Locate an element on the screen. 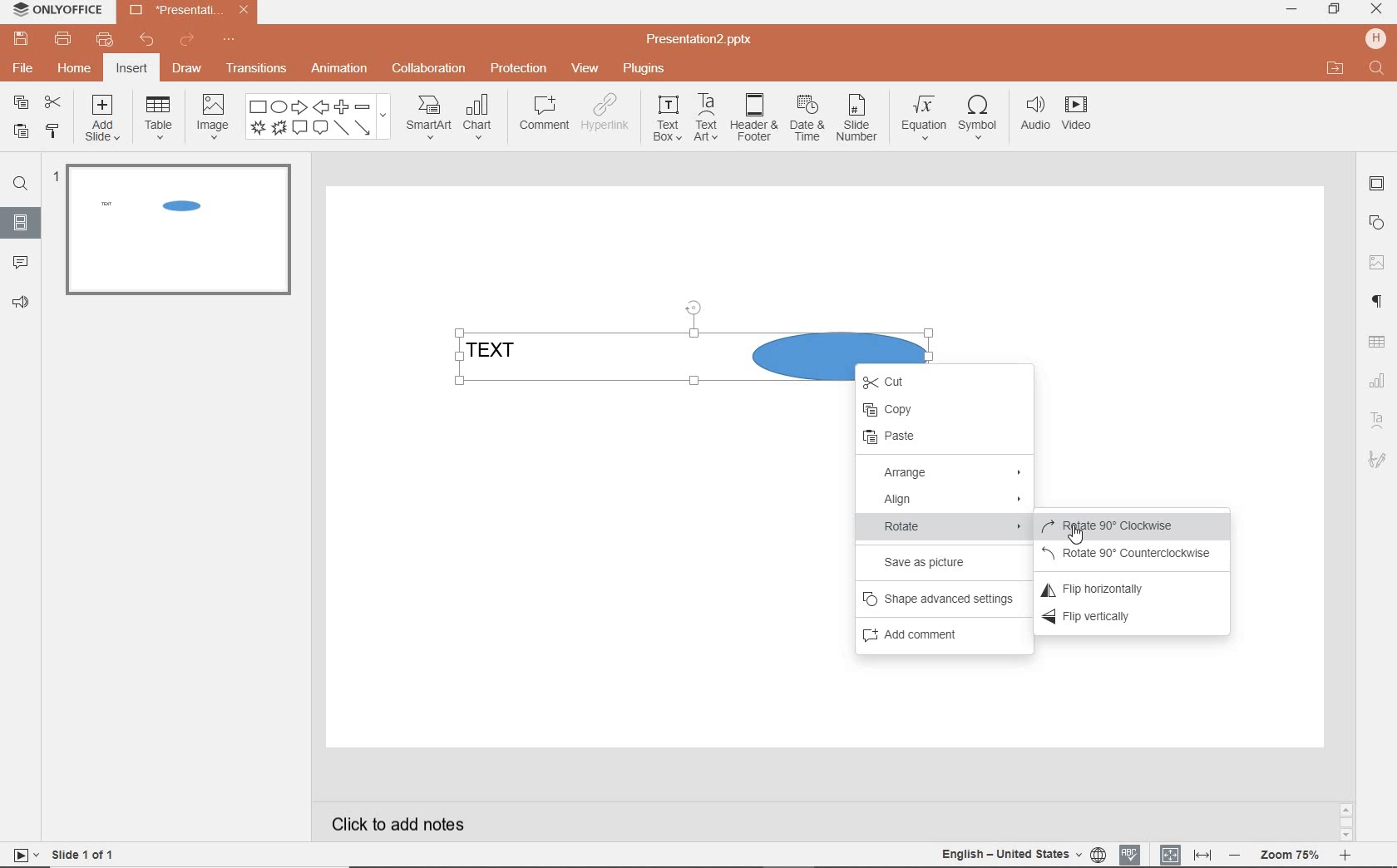 The height and width of the screenshot is (868, 1397). copy is located at coordinates (21, 102).